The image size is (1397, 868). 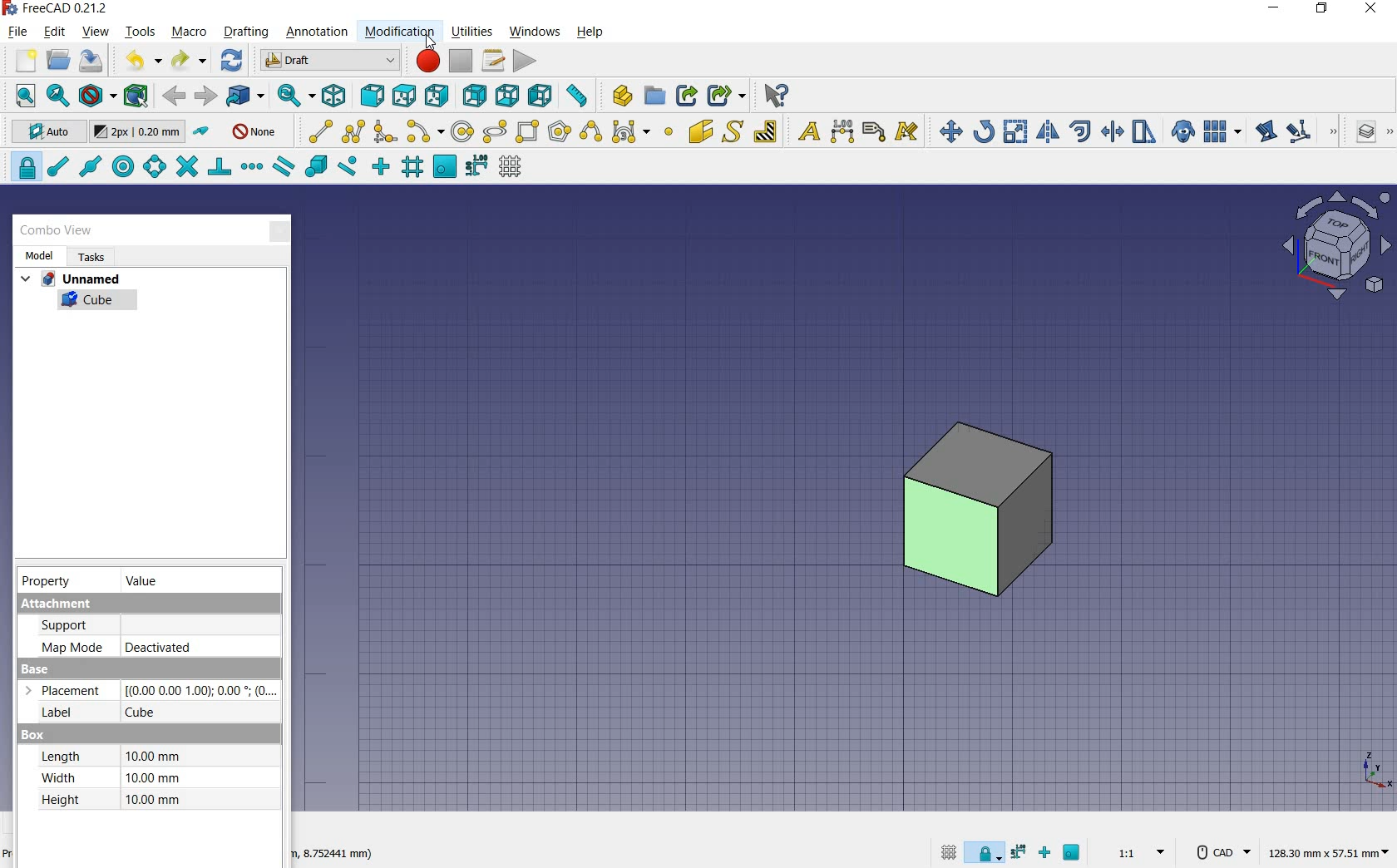 I want to click on snap ortho, so click(x=379, y=165).